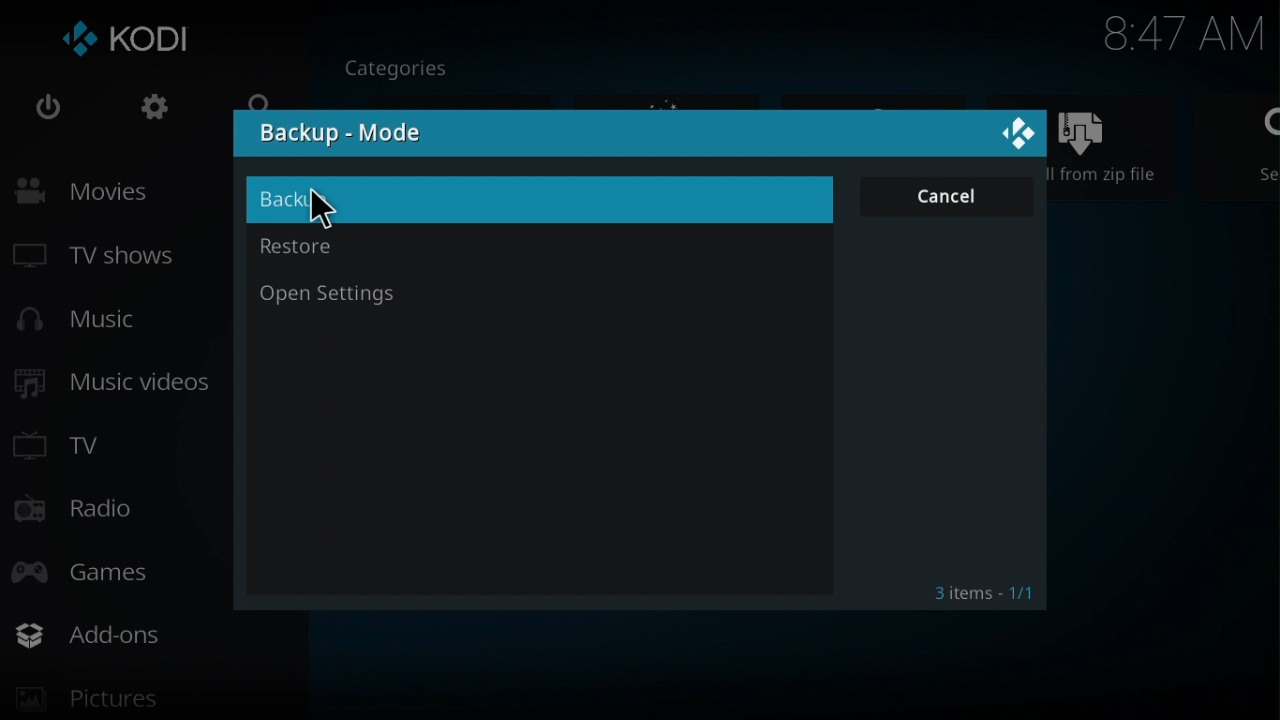 This screenshot has height=720, width=1280. What do you see at coordinates (146, 703) in the screenshot?
I see `pictures` at bounding box center [146, 703].